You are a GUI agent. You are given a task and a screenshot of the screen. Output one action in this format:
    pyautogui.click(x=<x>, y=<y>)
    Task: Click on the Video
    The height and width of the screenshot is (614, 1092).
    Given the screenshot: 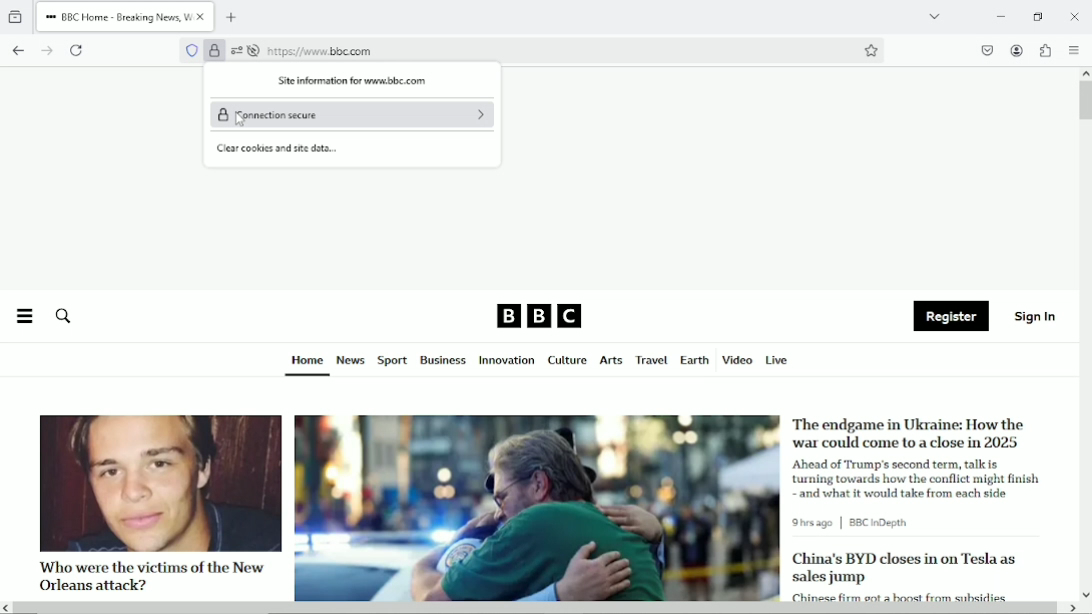 What is the action you would take?
    pyautogui.click(x=737, y=359)
    